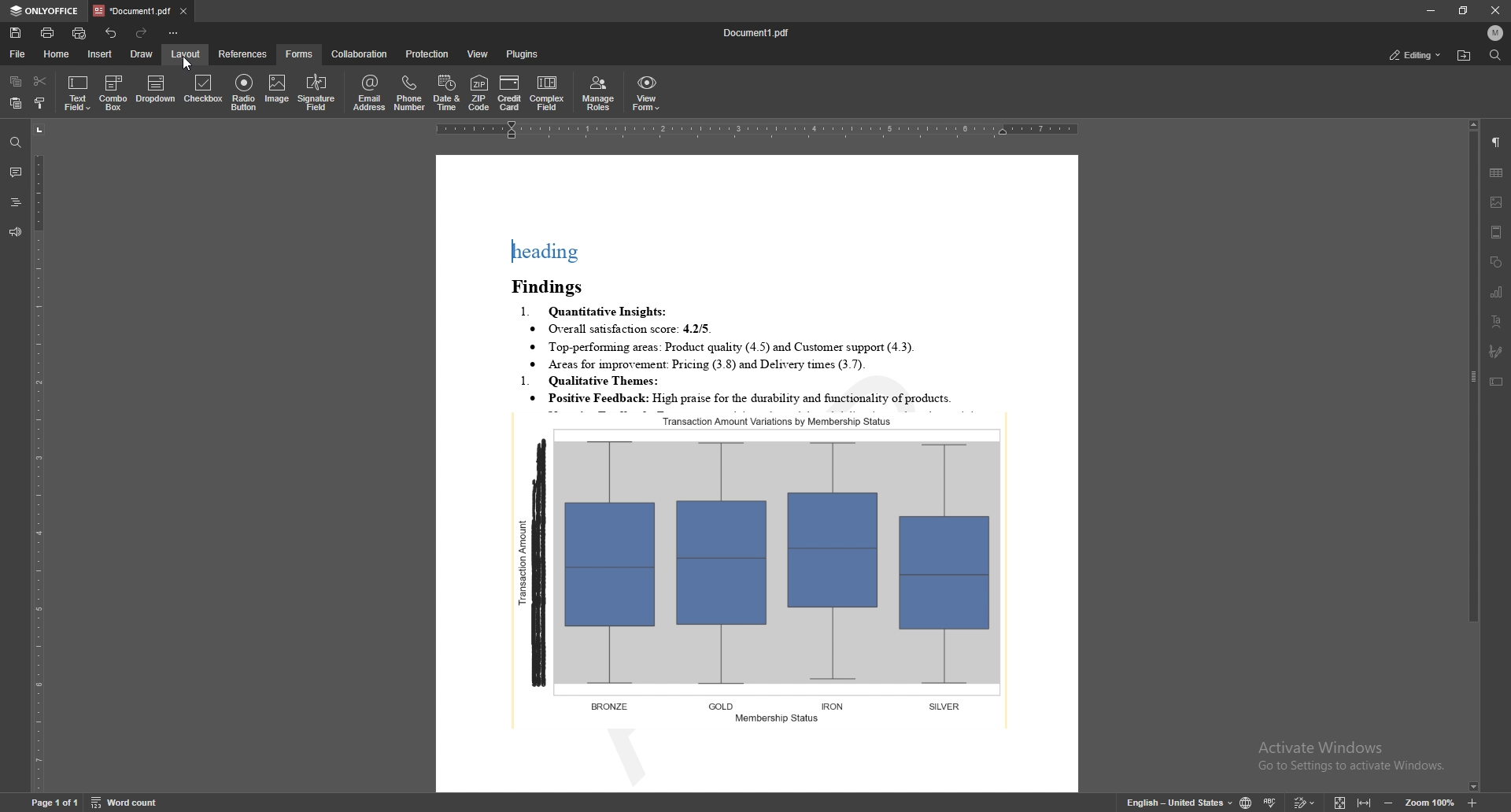 This screenshot has width=1511, height=812. What do you see at coordinates (1496, 55) in the screenshot?
I see `find` at bounding box center [1496, 55].